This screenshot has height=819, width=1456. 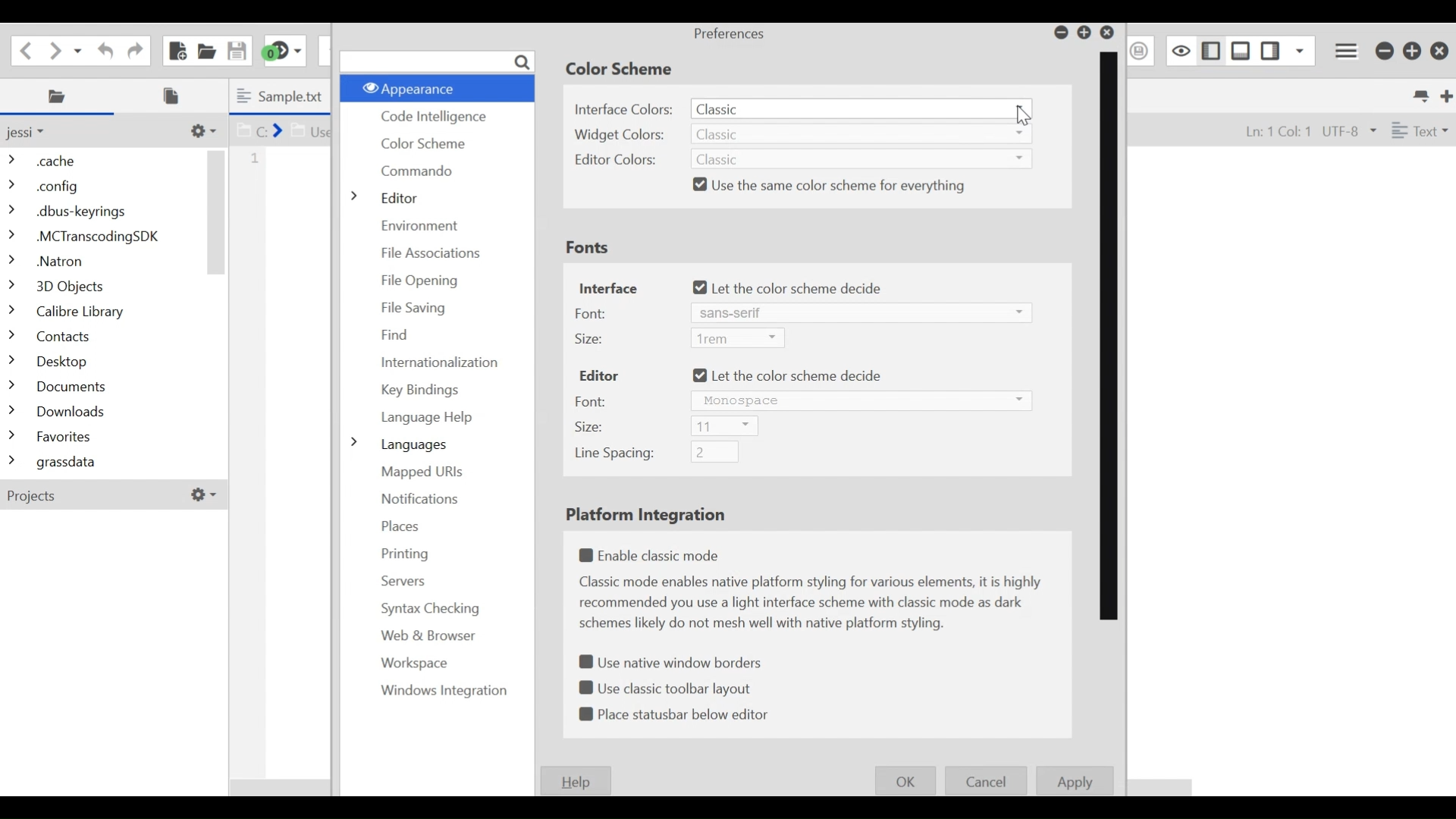 I want to click on Windows Intergration, so click(x=435, y=691).